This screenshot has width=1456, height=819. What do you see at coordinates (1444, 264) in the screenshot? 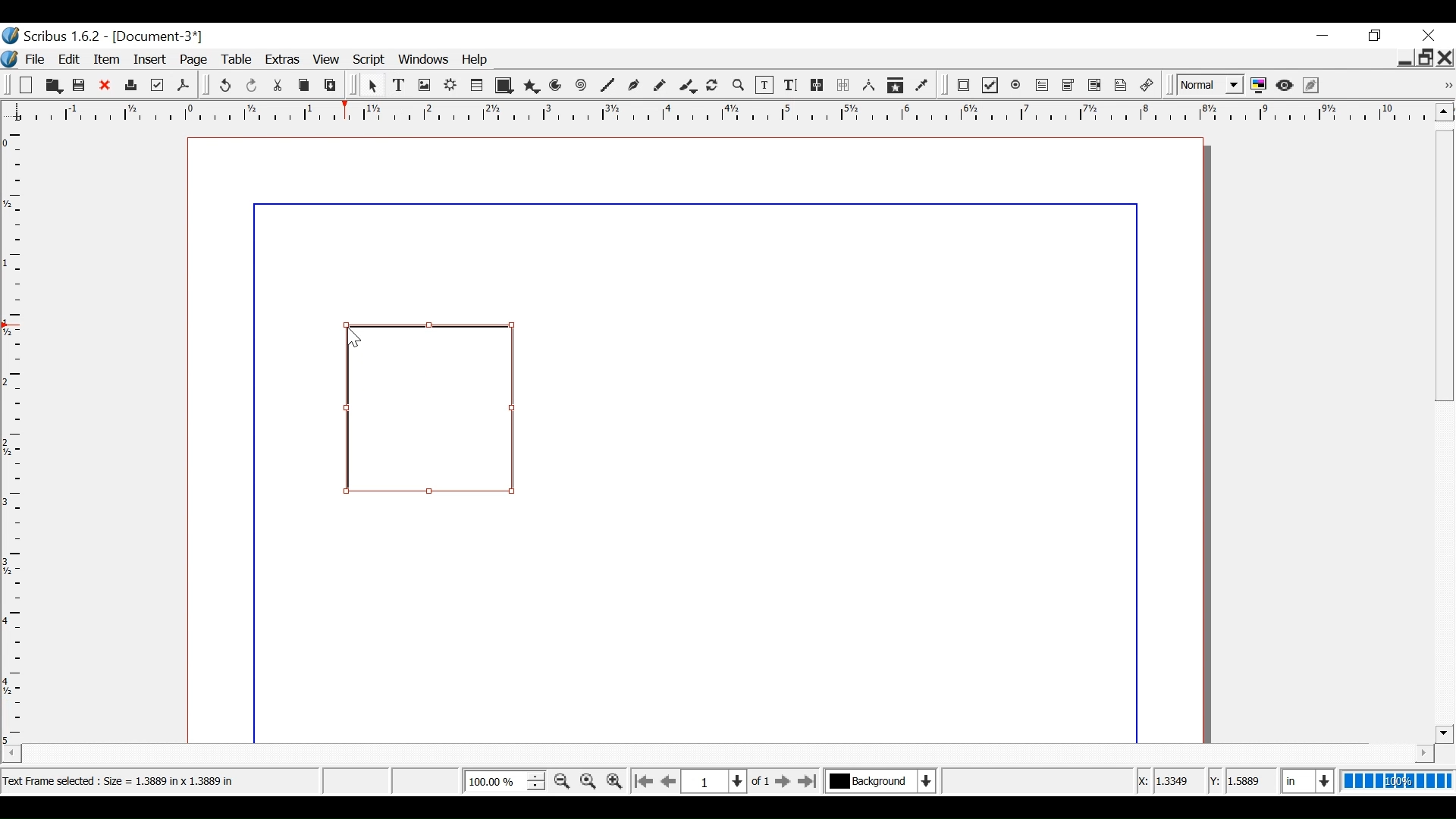
I see `Vertical Scroll bar` at bounding box center [1444, 264].